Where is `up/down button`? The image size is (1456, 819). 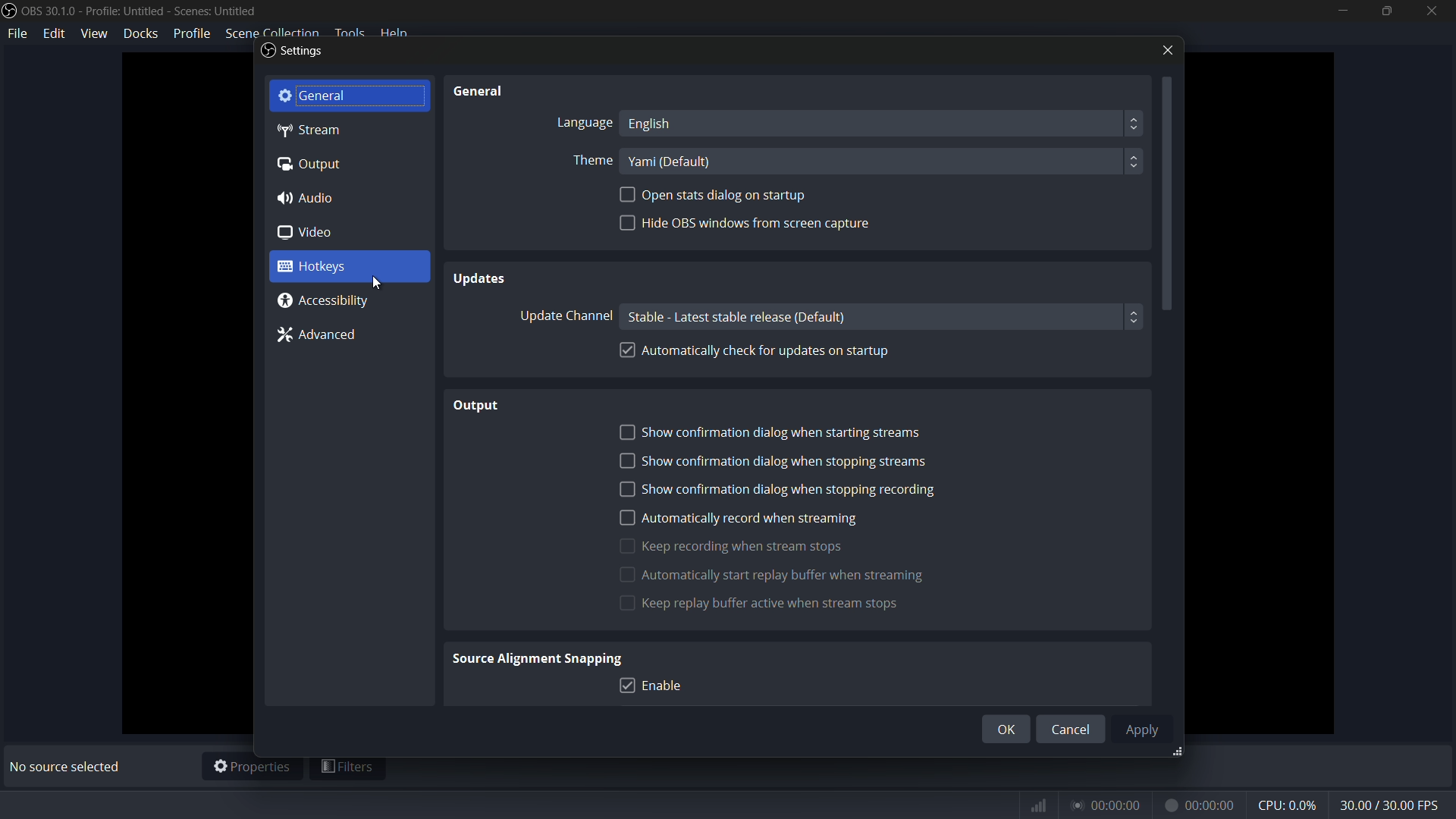 up/down button is located at coordinates (1130, 120).